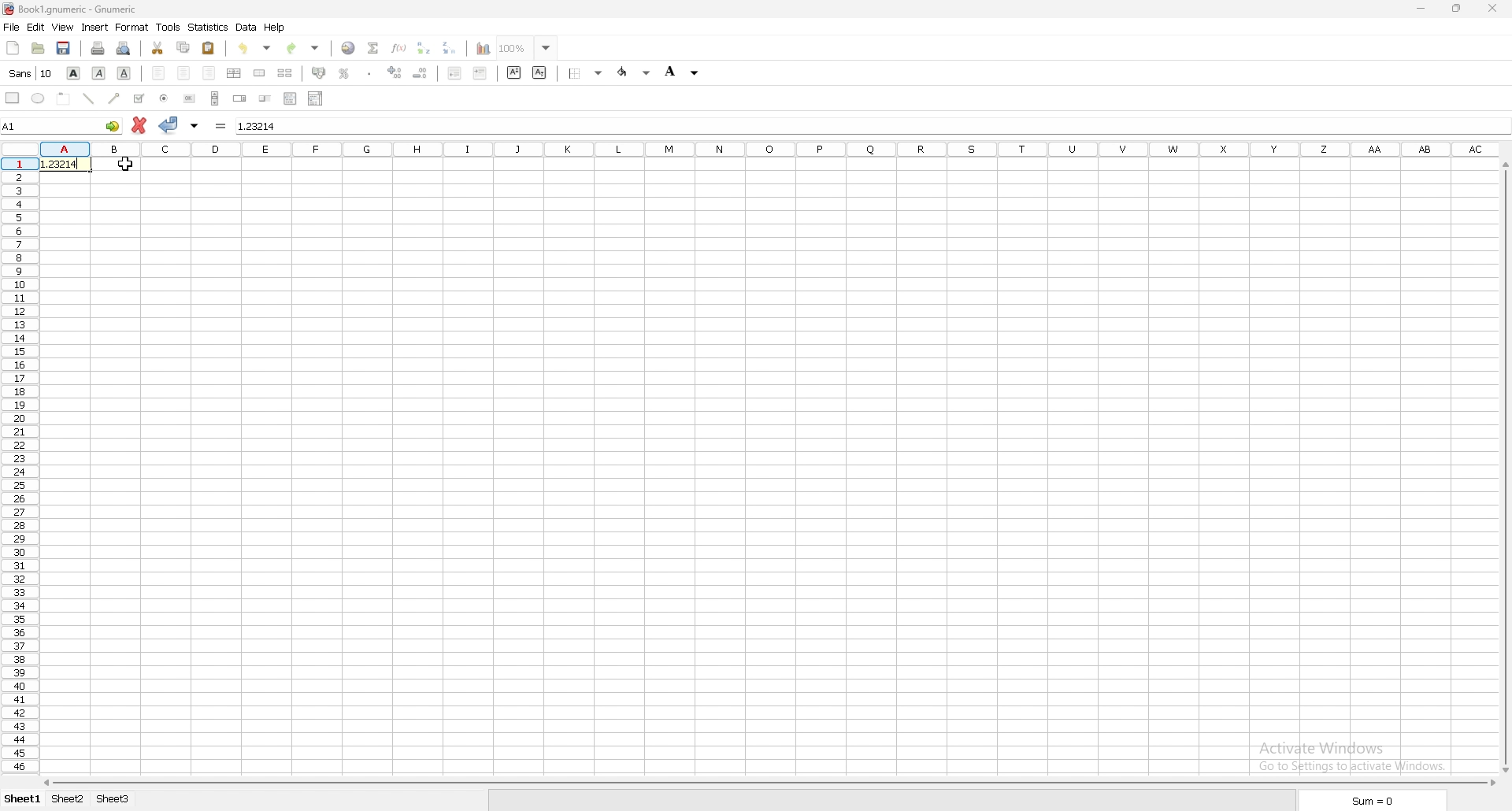  What do you see at coordinates (69, 799) in the screenshot?
I see `sheet 2` at bounding box center [69, 799].